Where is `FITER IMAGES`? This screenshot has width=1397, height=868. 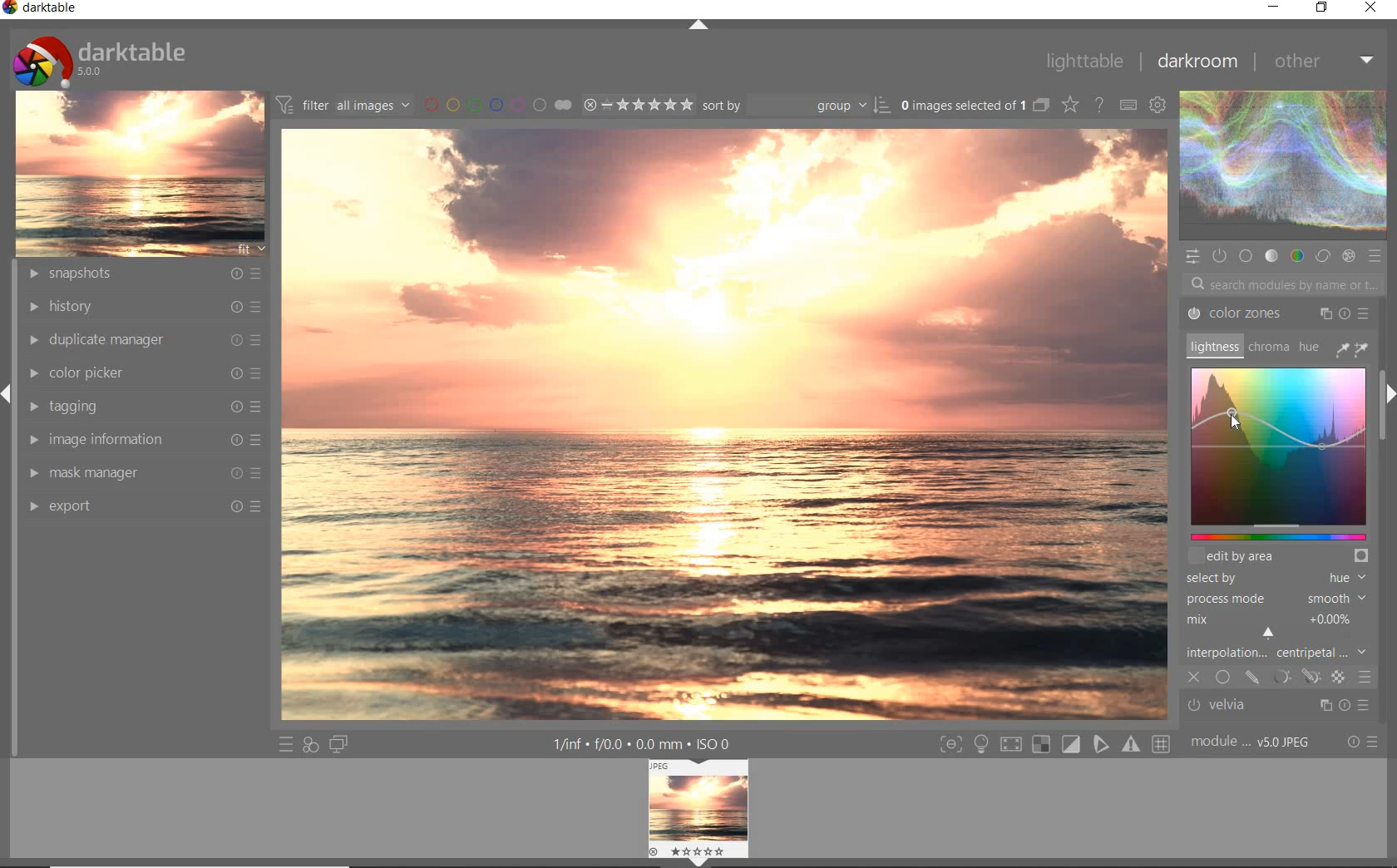
FITER IMAGES is located at coordinates (343, 104).